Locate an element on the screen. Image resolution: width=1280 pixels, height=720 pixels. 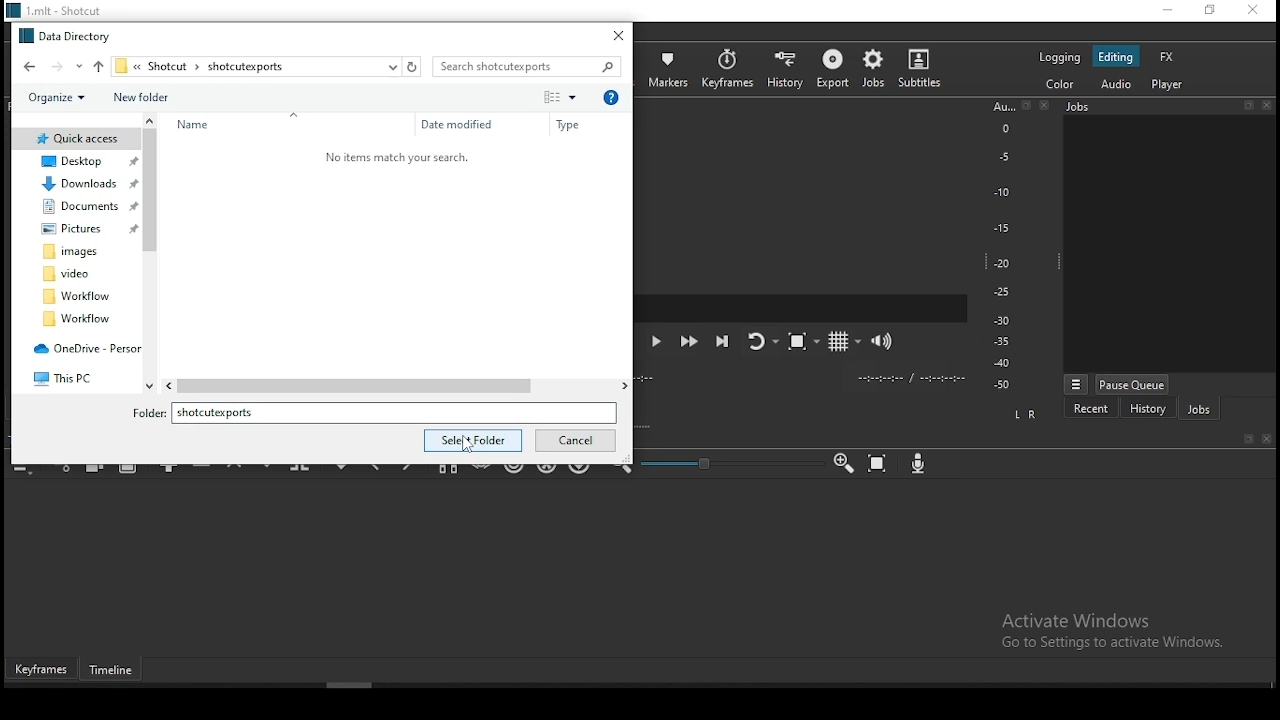
show volume control is located at coordinates (885, 338).